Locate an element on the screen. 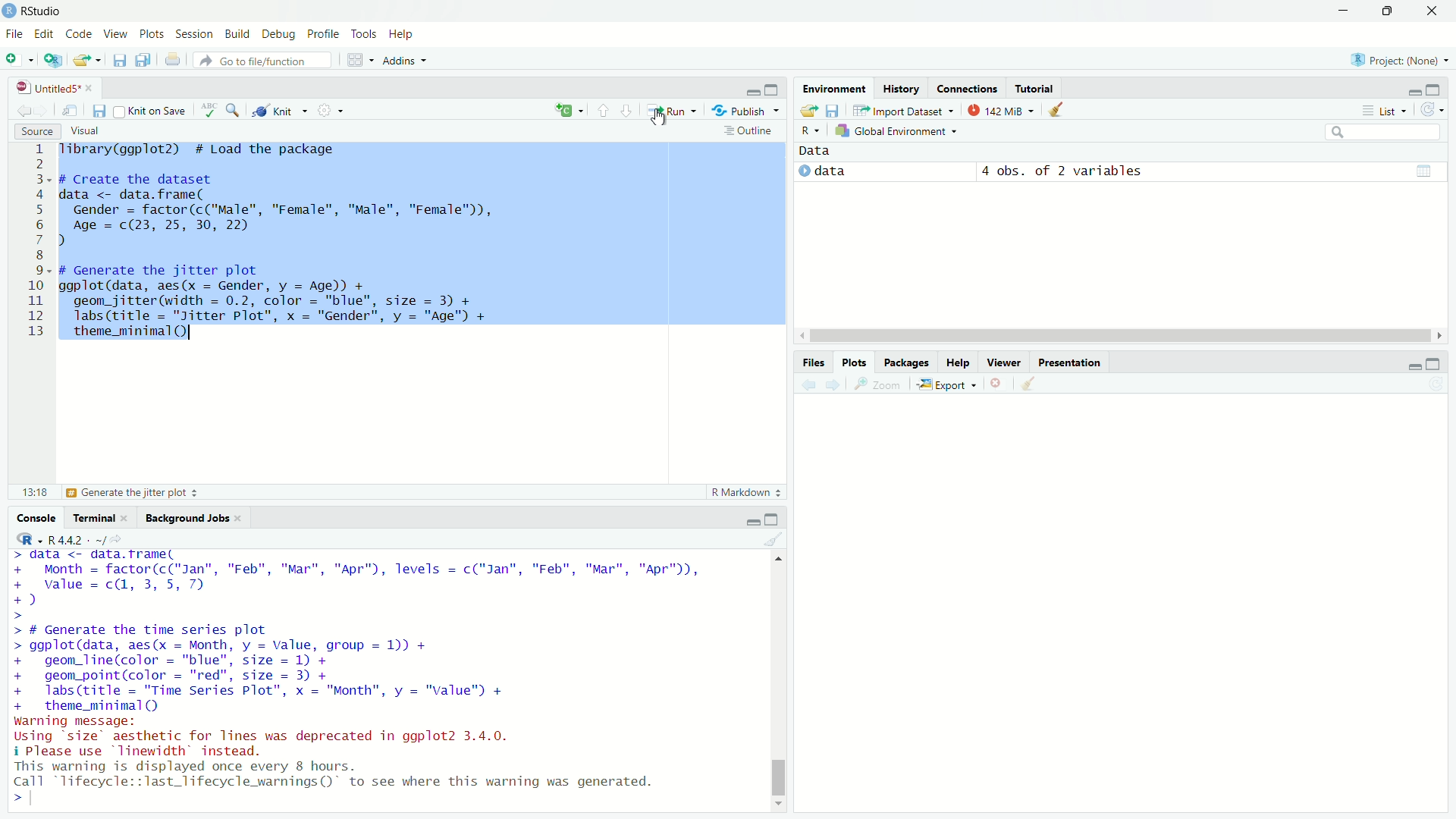  plots is located at coordinates (152, 32).